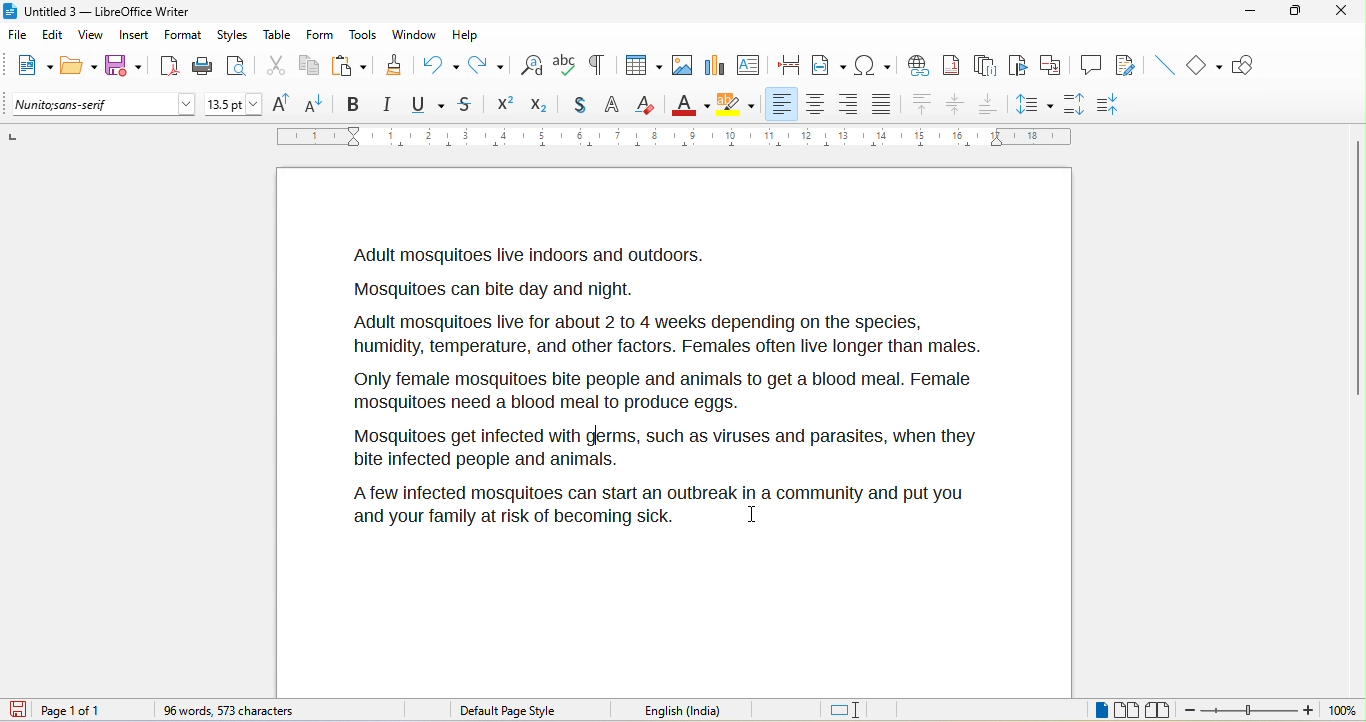 The image size is (1366, 722). I want to click on 96 words, 573 character, so click(234, 711).